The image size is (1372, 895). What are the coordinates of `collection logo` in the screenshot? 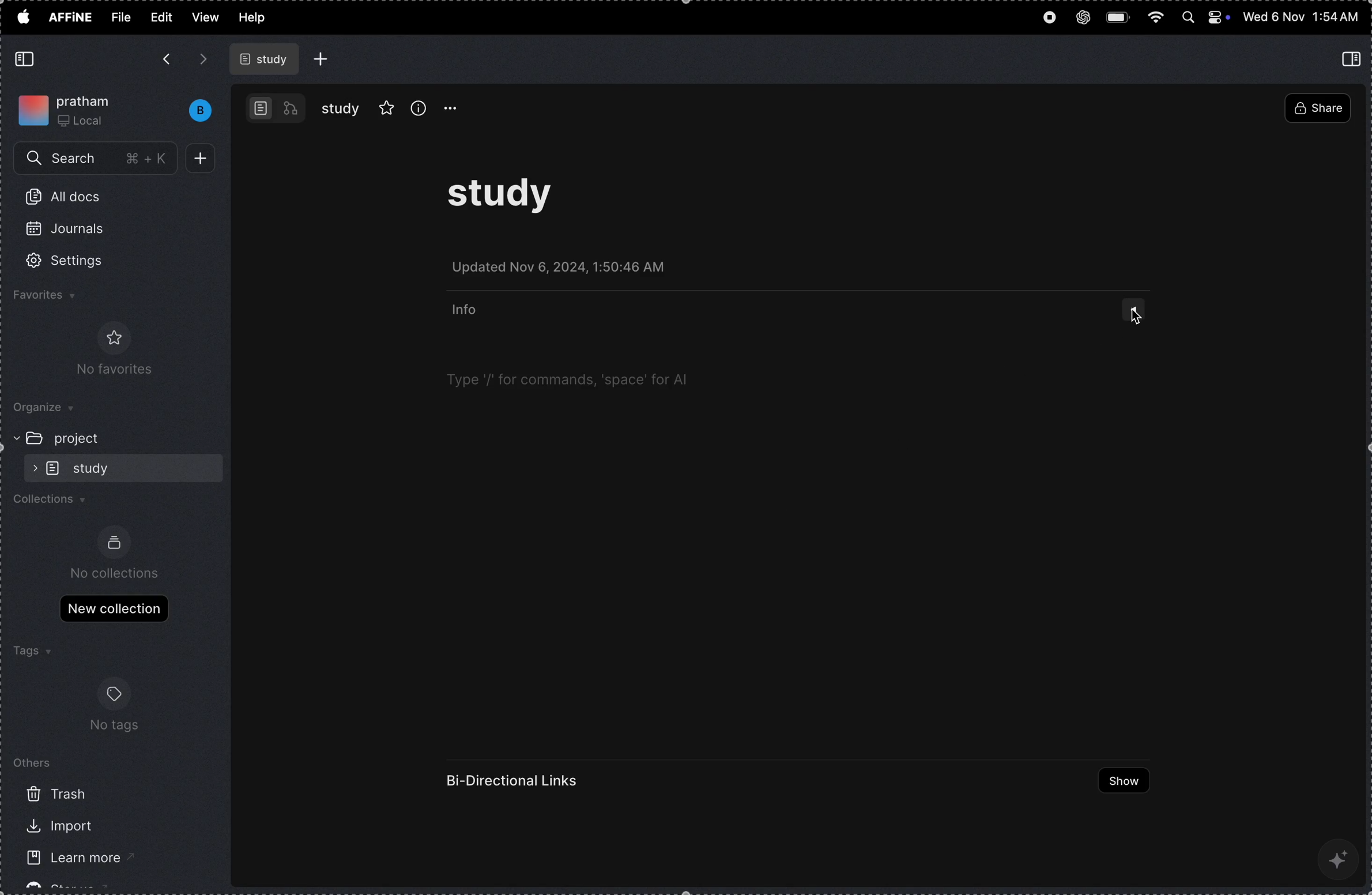 It's located at (114, 543).